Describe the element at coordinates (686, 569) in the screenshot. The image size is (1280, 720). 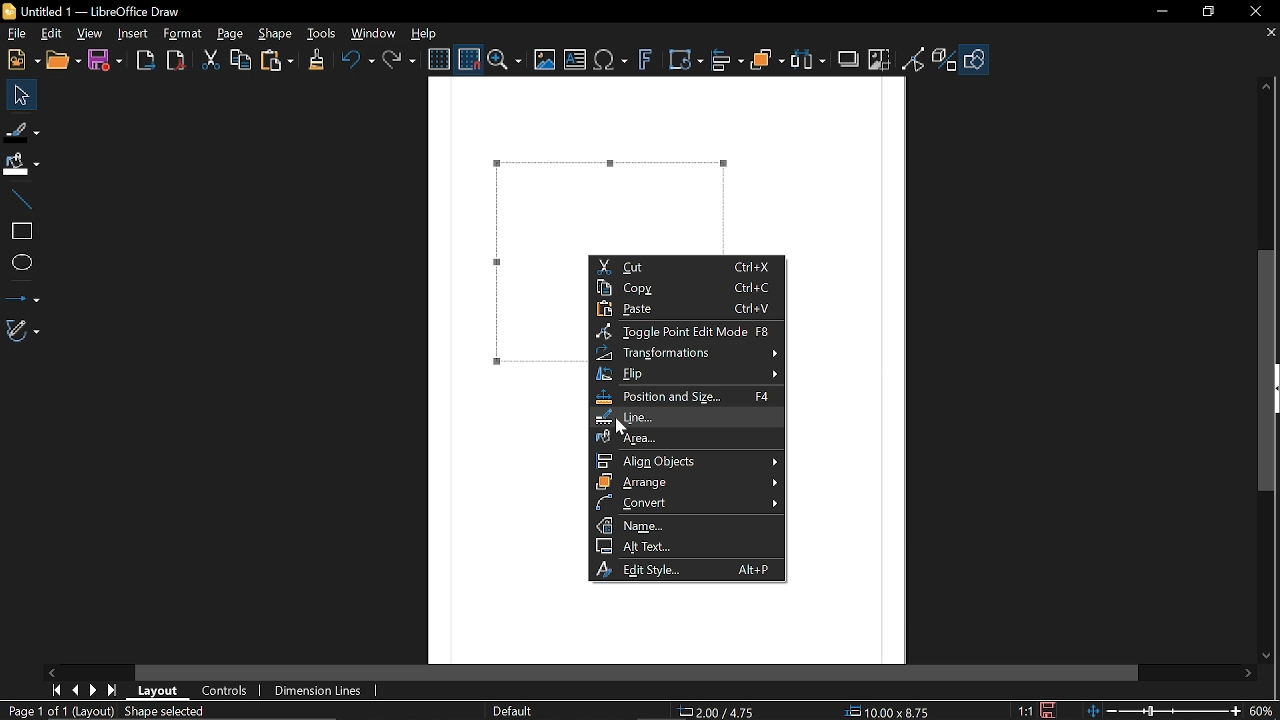
I see `Edit style` at that location.